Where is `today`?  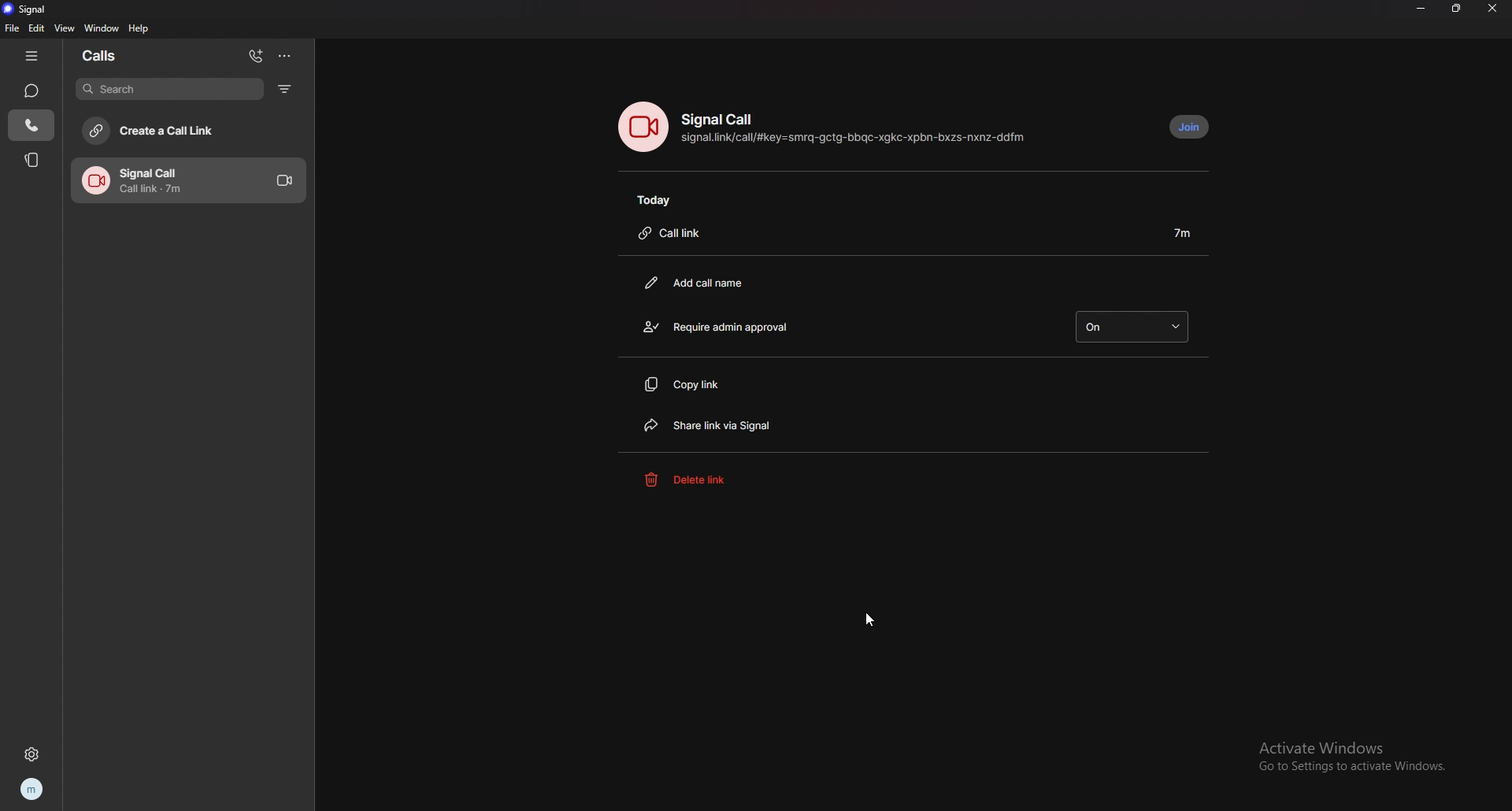
today is located at coordinates (661, 200).